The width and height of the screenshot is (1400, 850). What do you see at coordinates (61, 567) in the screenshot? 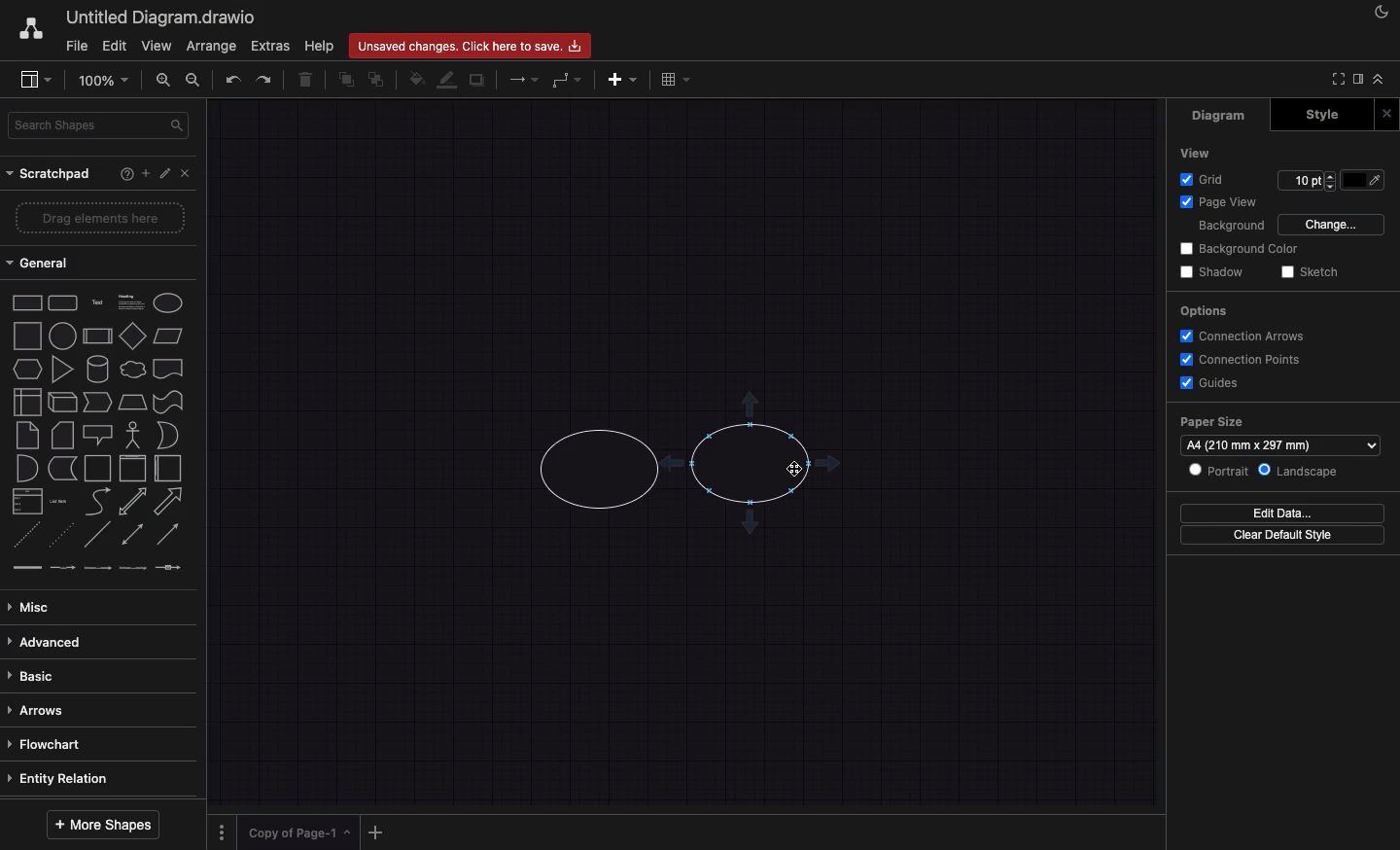
I see `connector with label` at bounding box center [61, 567].